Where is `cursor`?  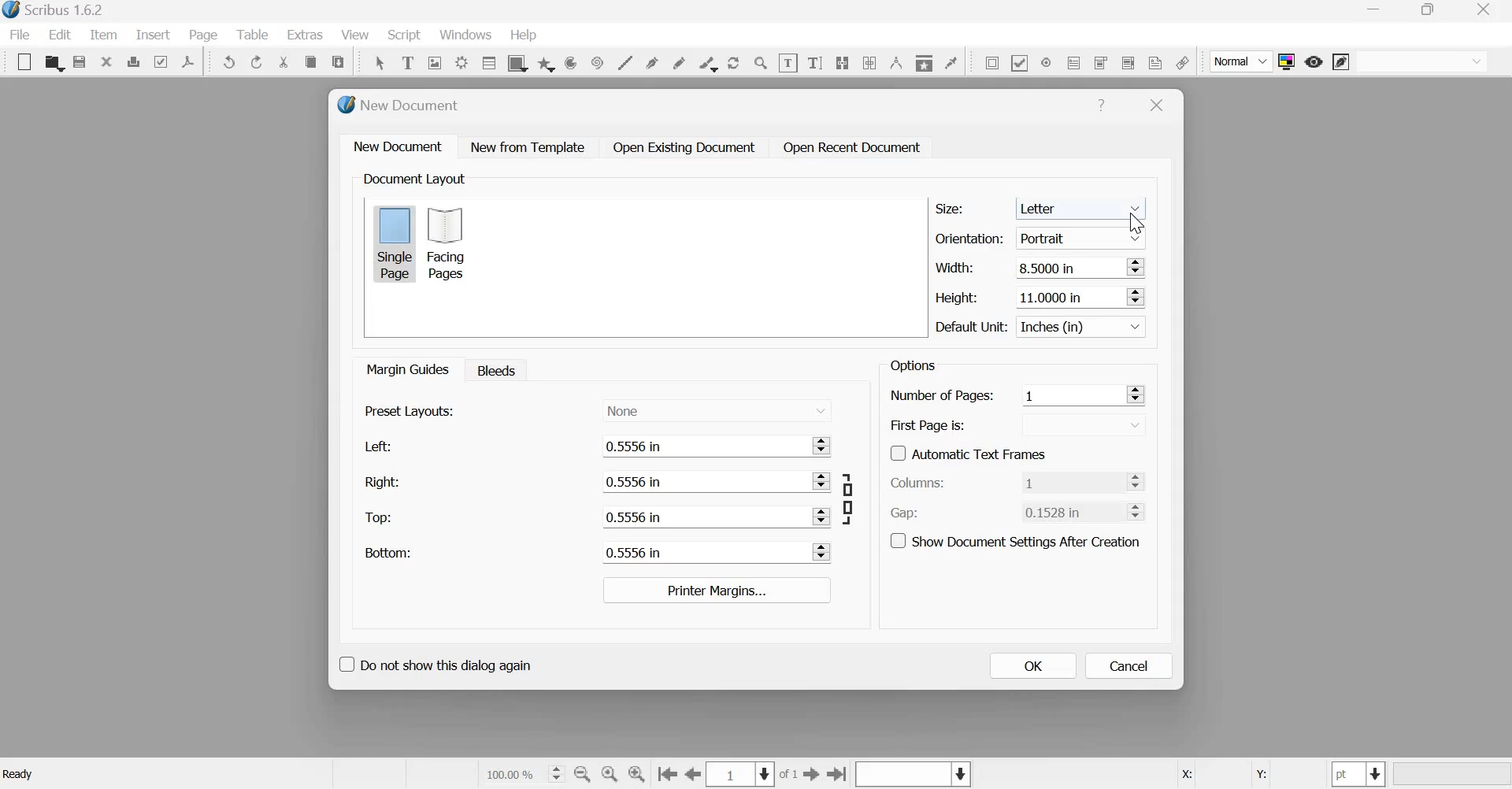
cursor is located at coordinates (1136, 224).